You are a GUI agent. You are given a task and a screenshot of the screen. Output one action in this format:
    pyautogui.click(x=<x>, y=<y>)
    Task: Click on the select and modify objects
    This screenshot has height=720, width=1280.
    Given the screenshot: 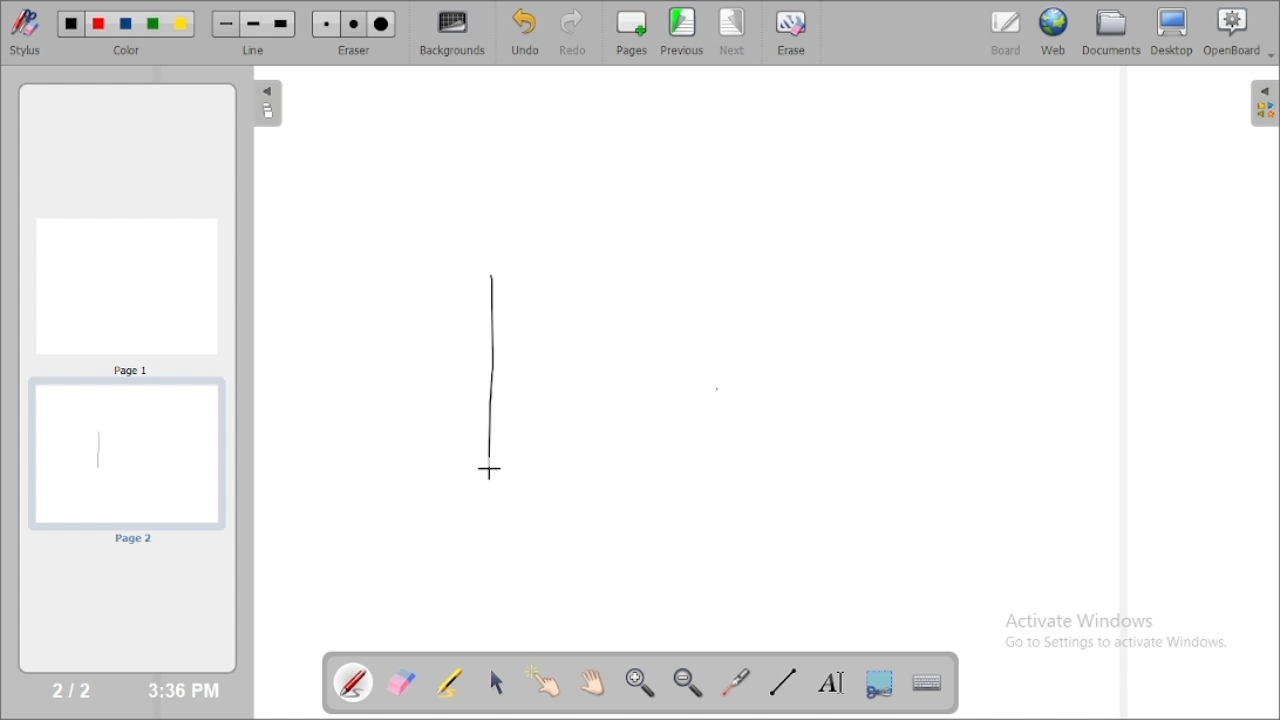 What is the action you would take?
    pyautogui.click(x=497, y=682)
    